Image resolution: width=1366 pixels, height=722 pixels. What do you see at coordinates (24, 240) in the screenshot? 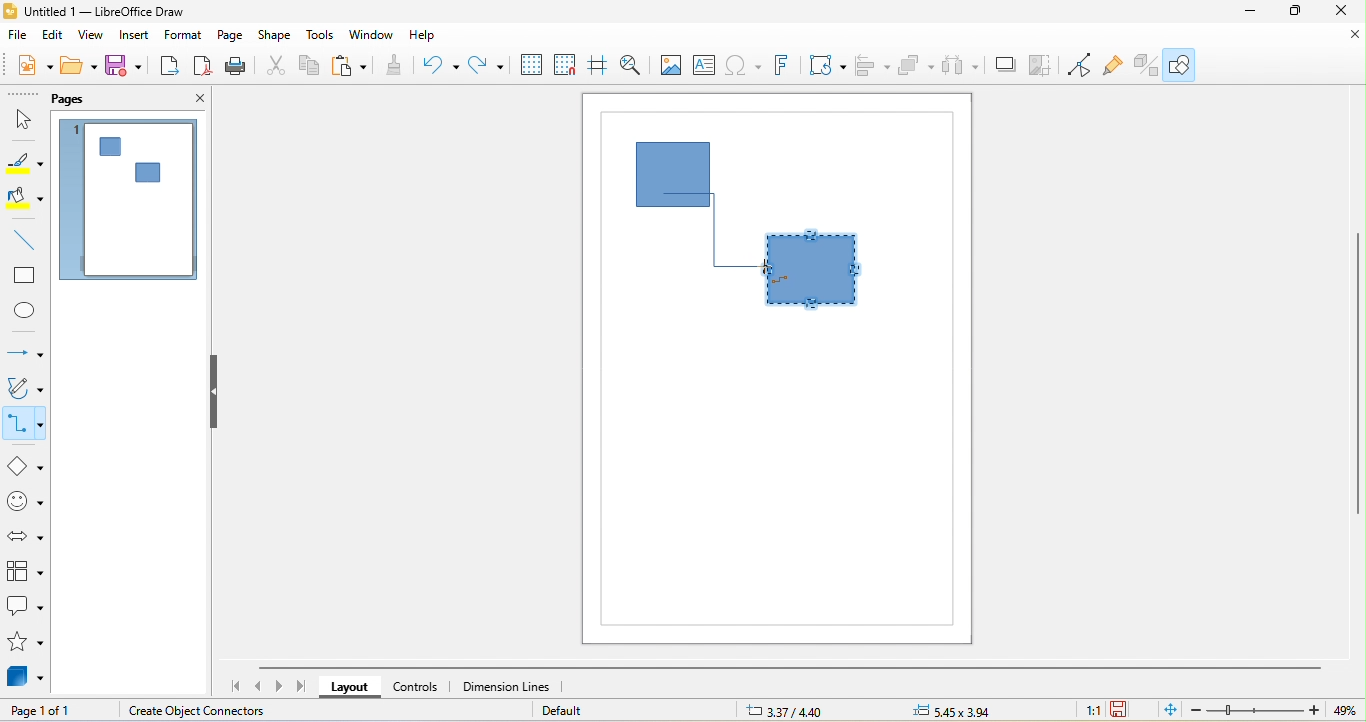
I see `line` at bounding box center [24, 240].